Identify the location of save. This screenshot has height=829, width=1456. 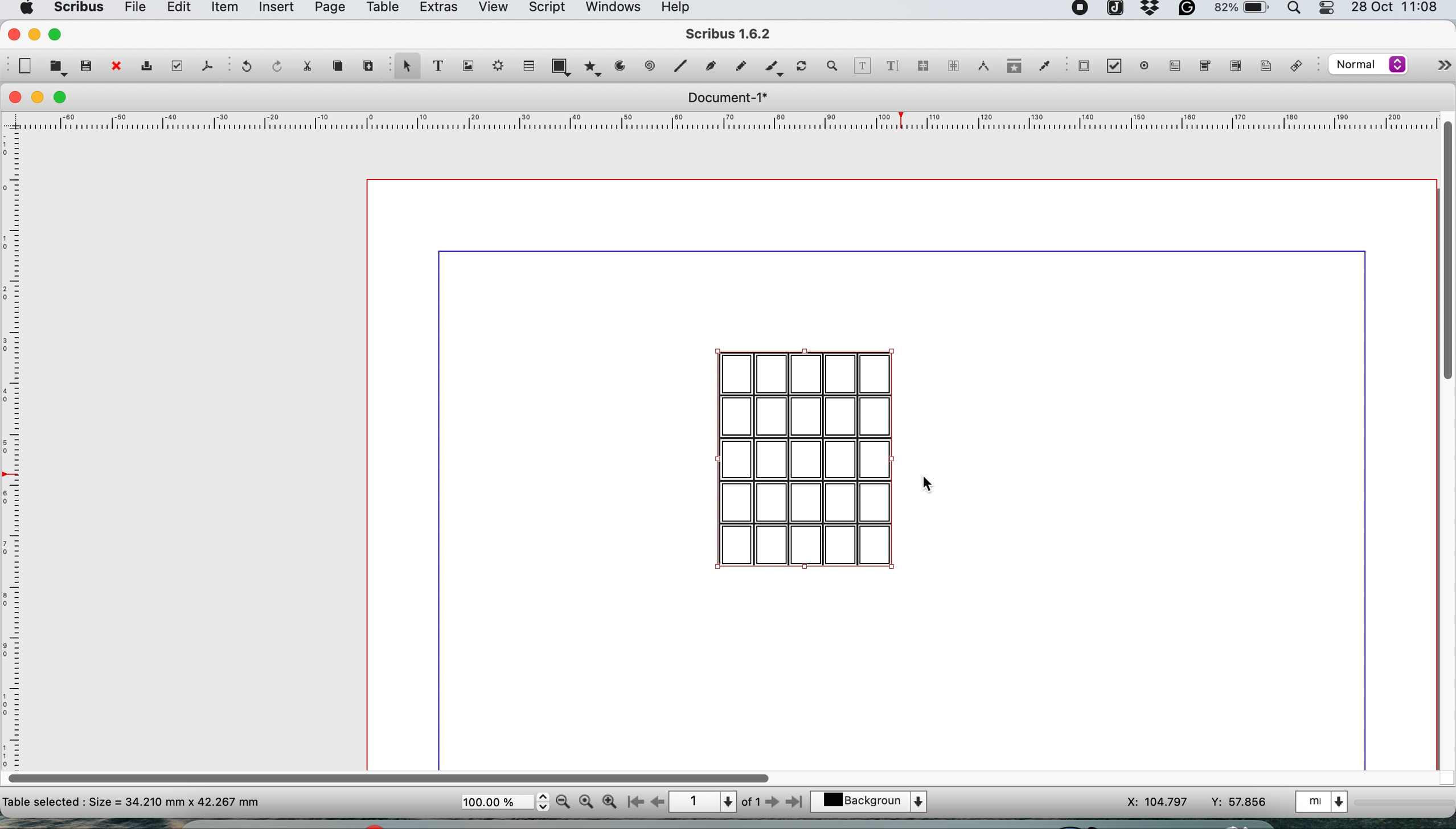
(87, 65).